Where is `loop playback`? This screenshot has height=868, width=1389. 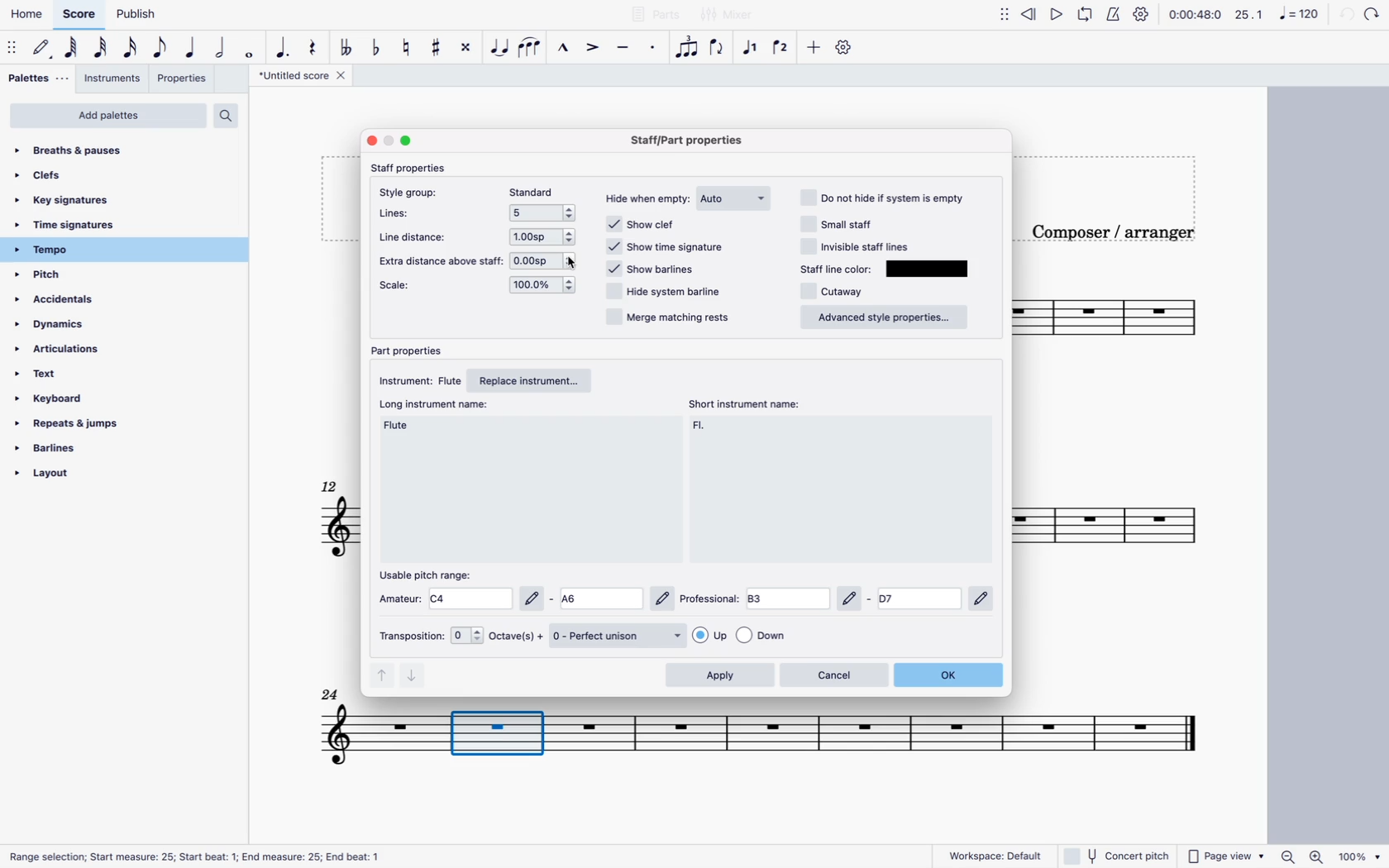 loop playback is located at coordinates (1086, 16).